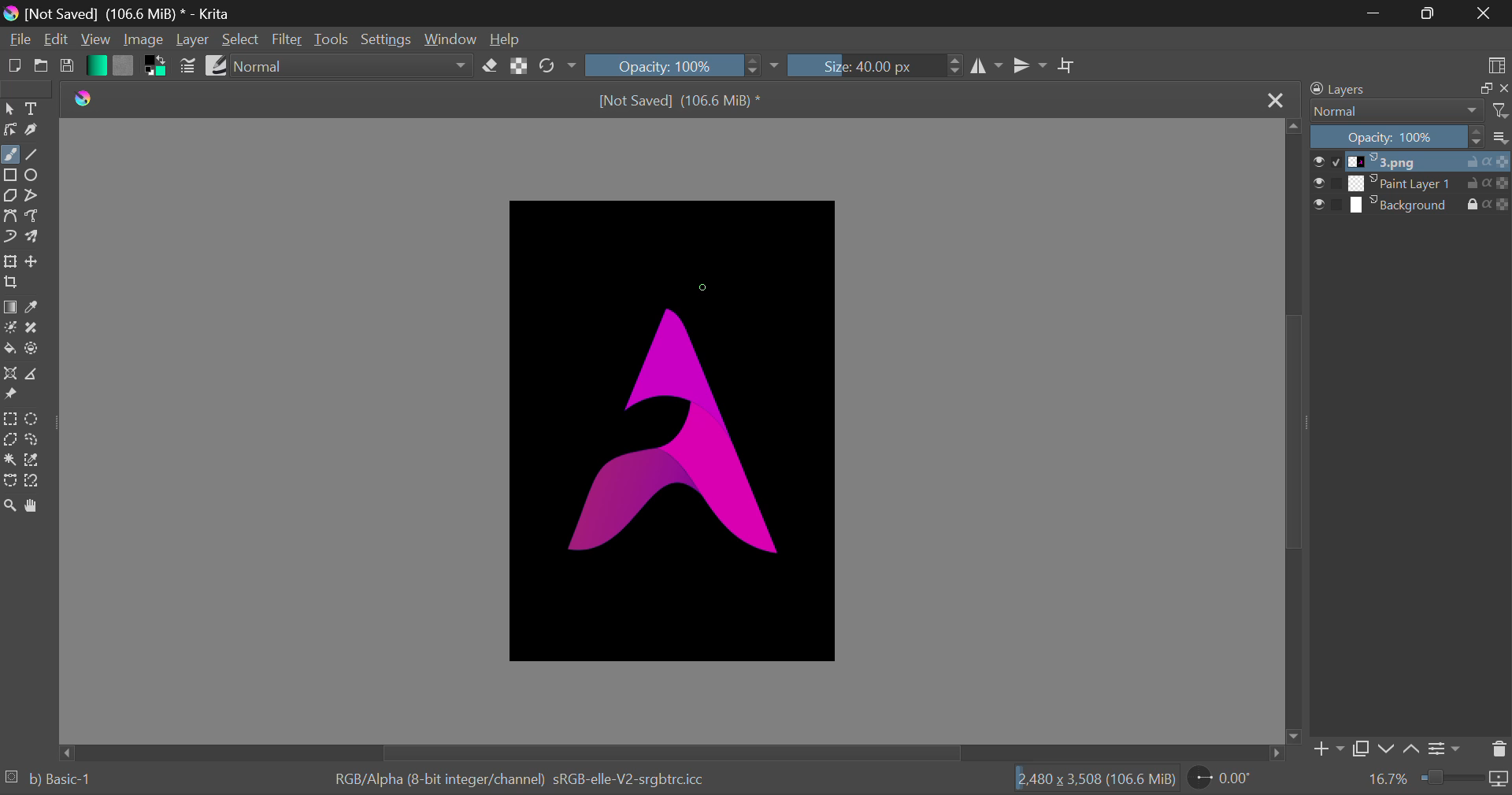 The image size is (1512, 795). Describe the element at coordinates (9, 462) in the screenshot. I see `Continuous Selection` at that location.